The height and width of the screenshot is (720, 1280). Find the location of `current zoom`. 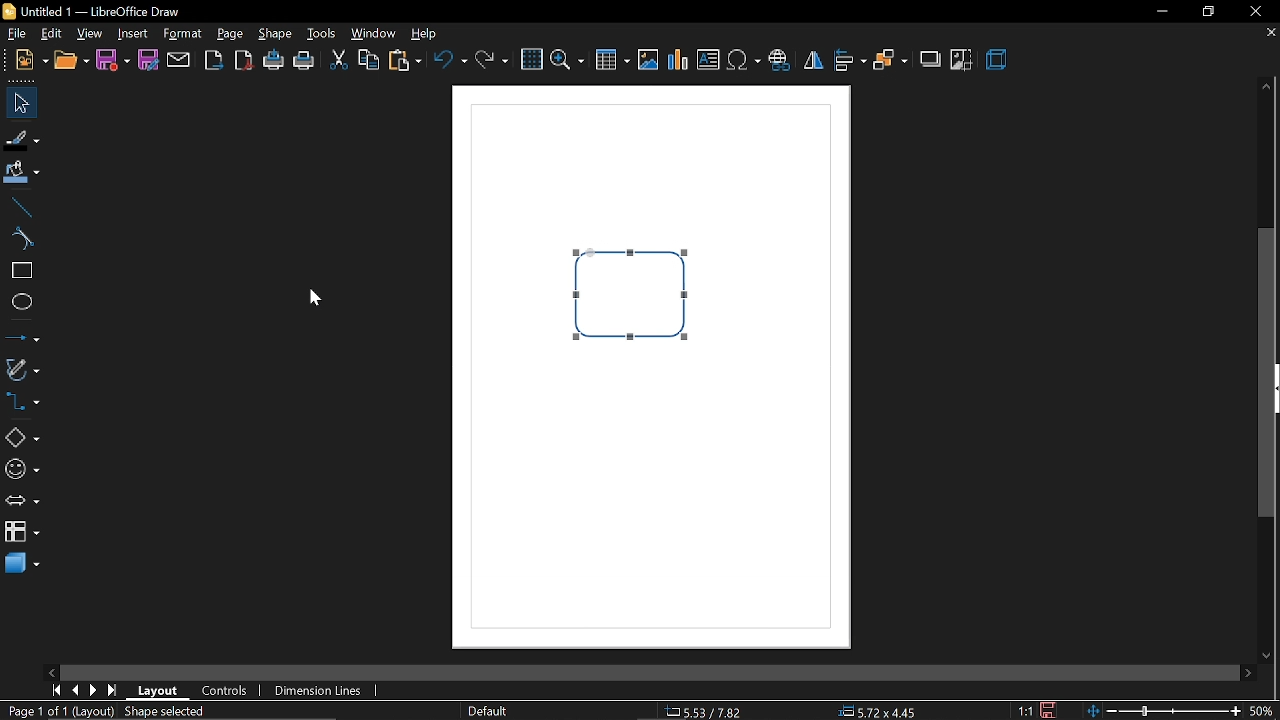

current zoom is located at coordinates (1262, 712).